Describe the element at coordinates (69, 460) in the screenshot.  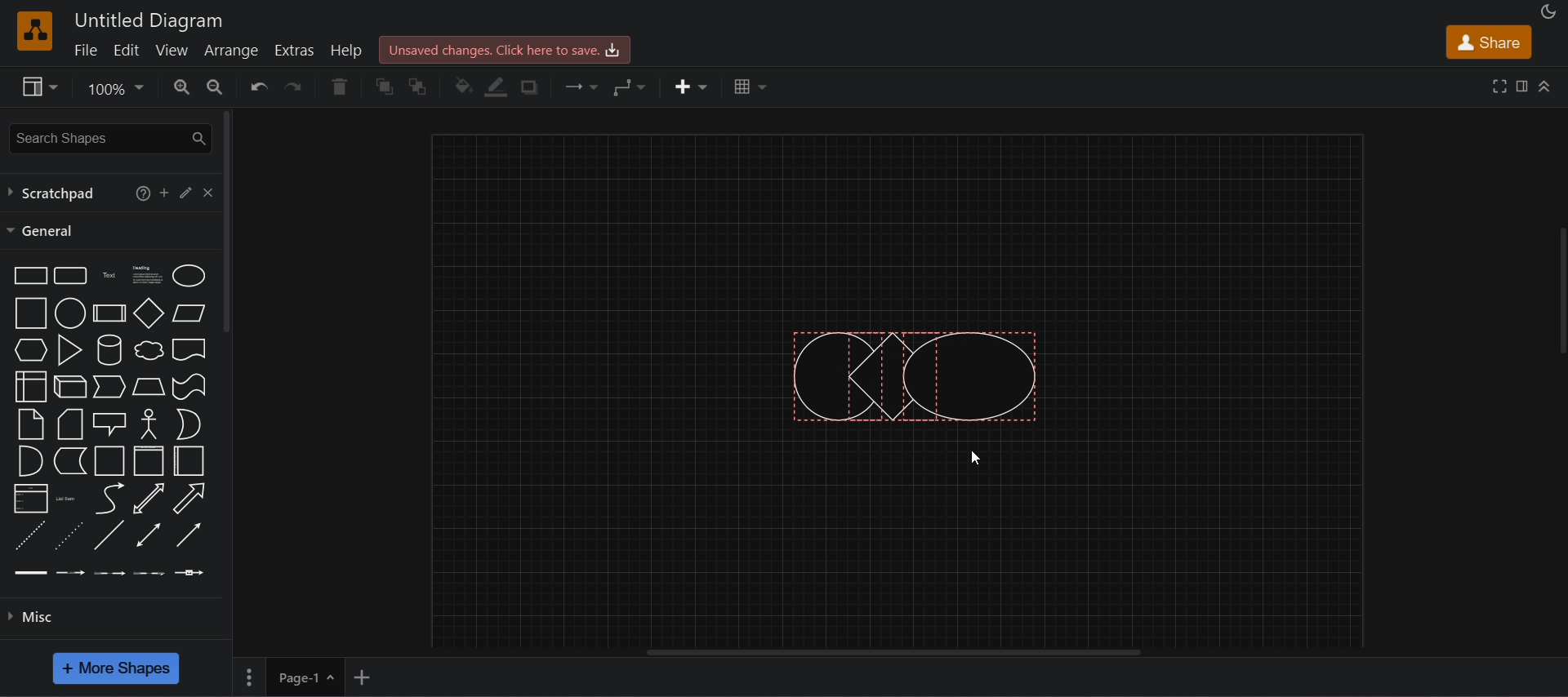
I see `Data storage` at that location.